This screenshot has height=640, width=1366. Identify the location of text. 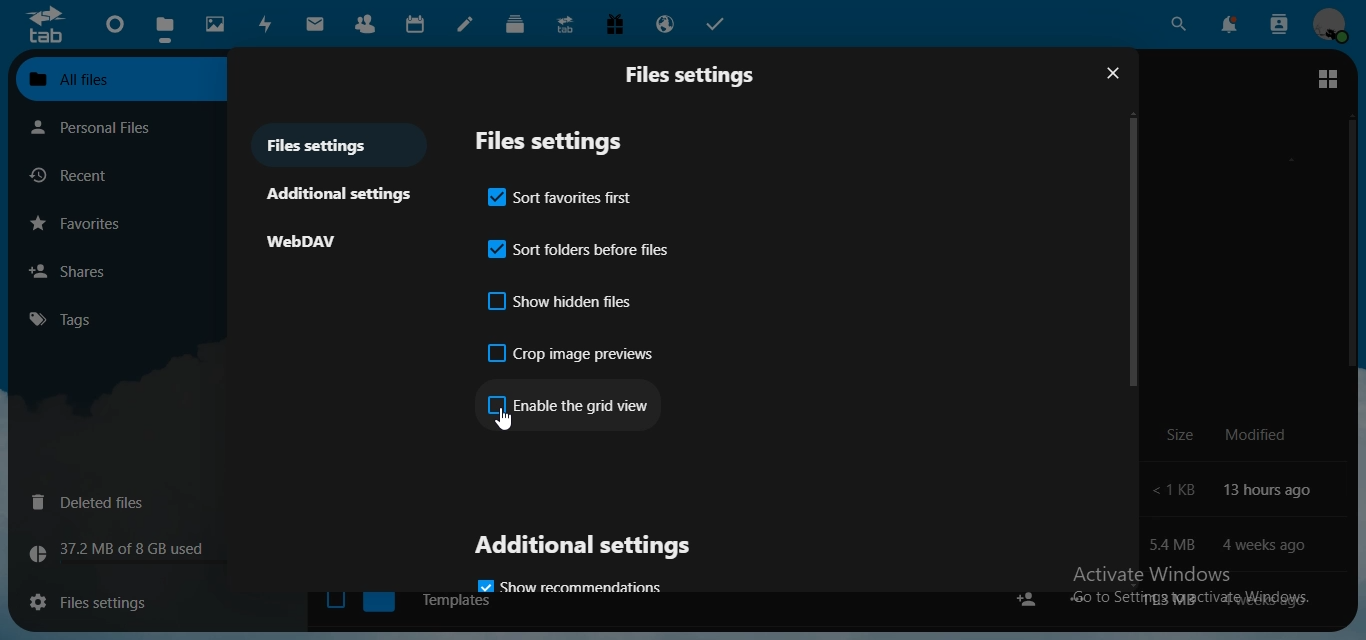
(1229, 435).